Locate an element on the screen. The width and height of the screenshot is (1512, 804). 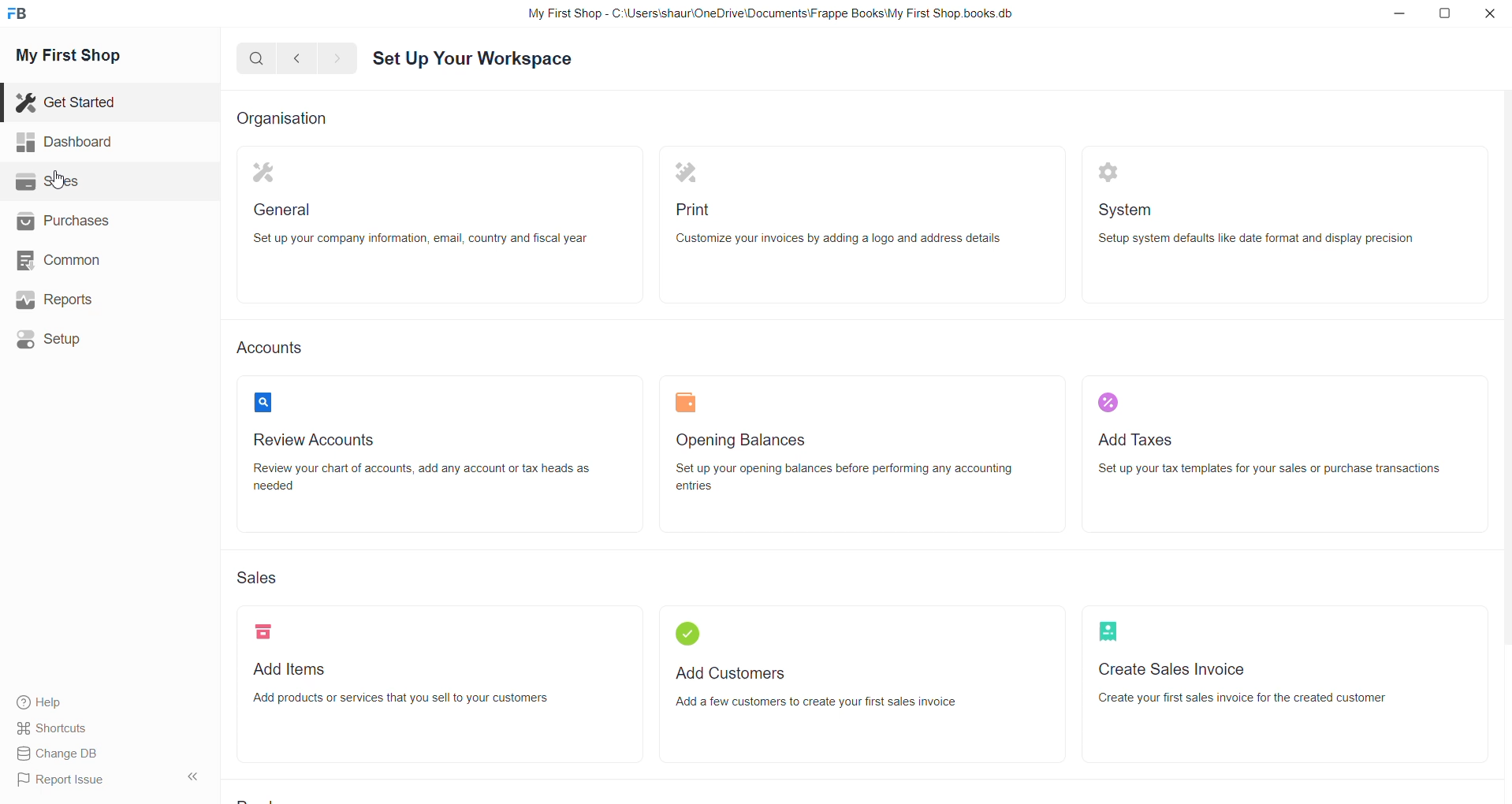
Reports is located at coordinates (57, 300).